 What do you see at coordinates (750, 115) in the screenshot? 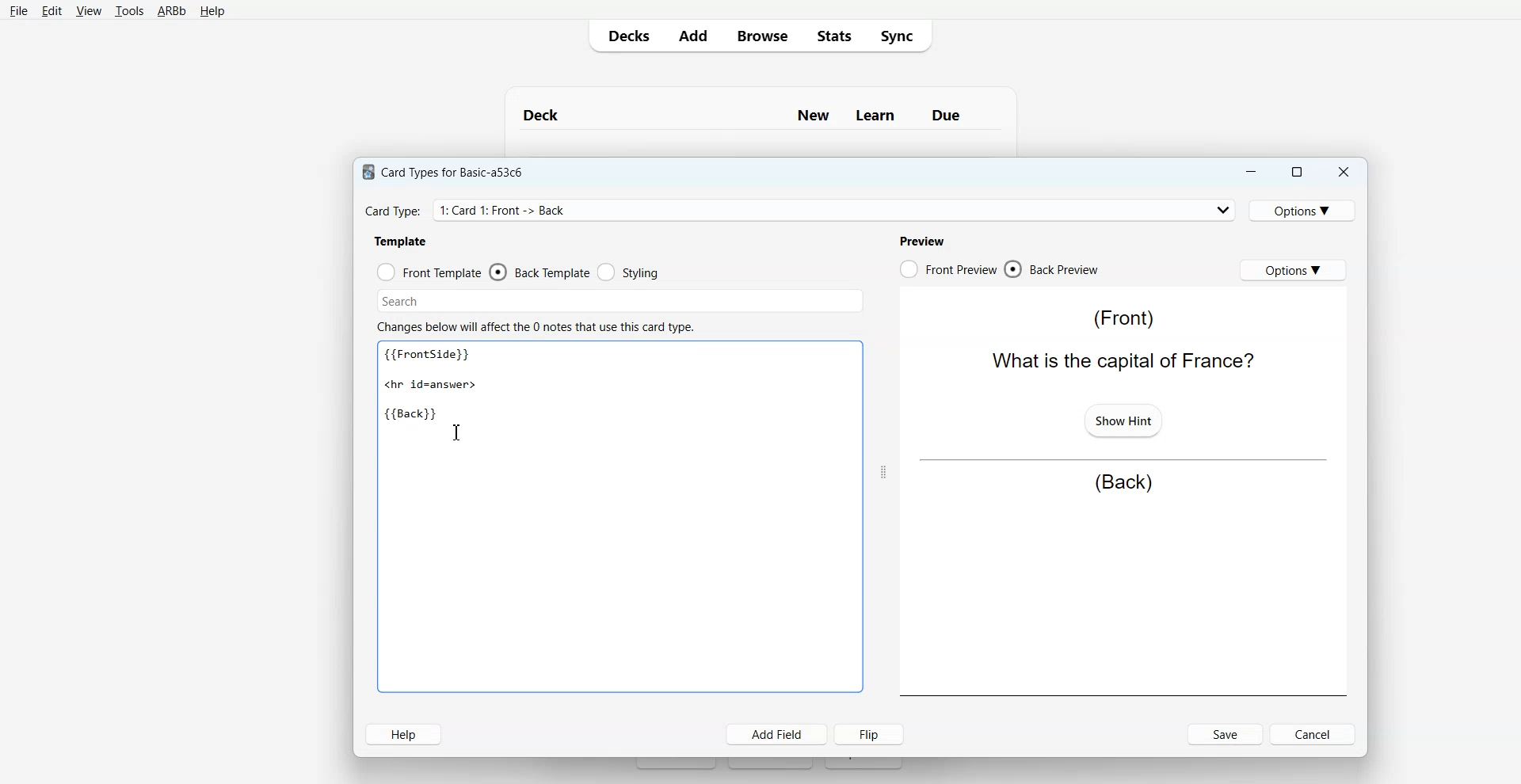
I see `Deck New Learn Due` at bounding box center [750, 115].